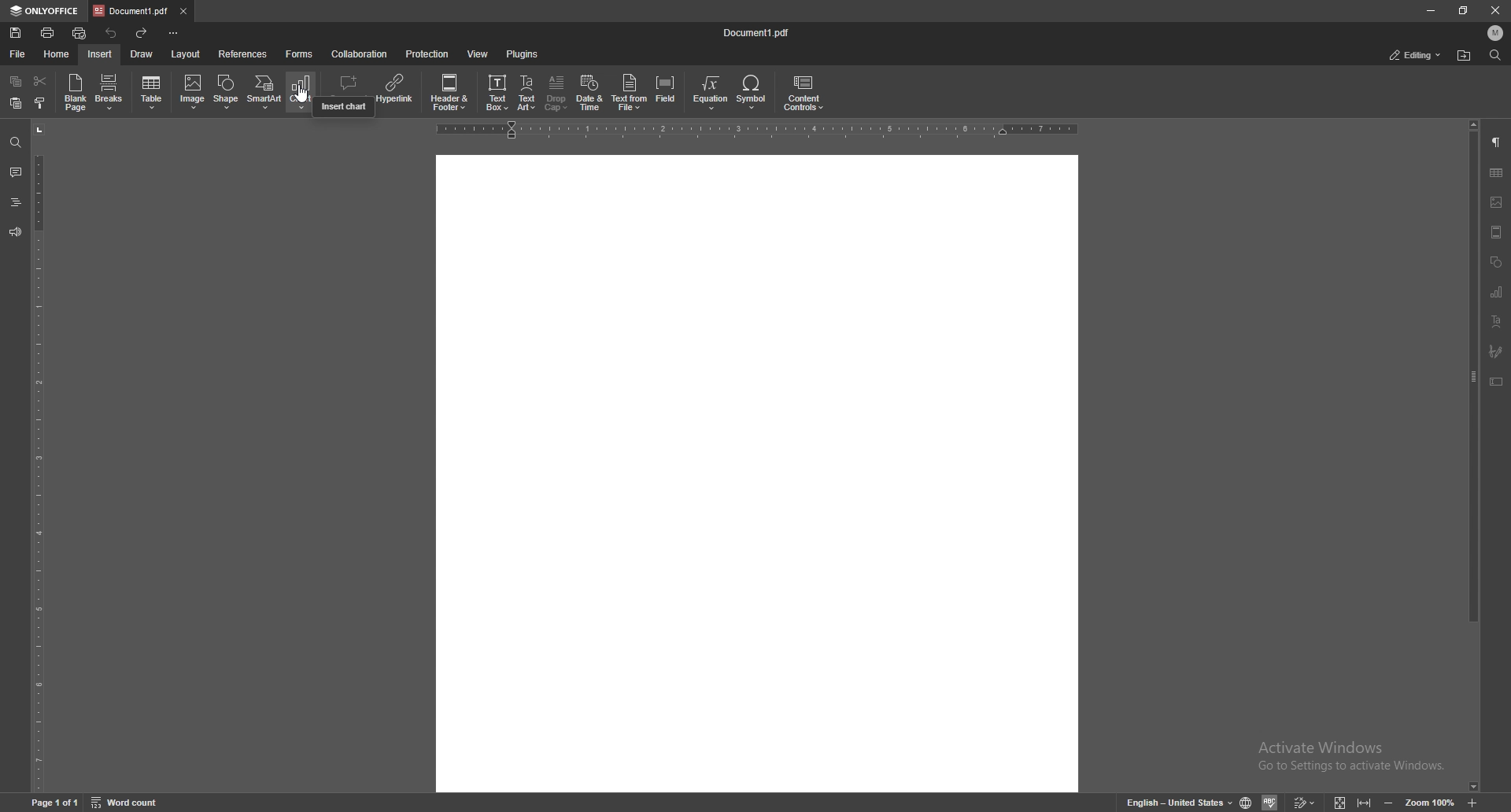  Describe the element at coordinates (1352, 755) in the screenshot. I see `Activate windows` at that location.